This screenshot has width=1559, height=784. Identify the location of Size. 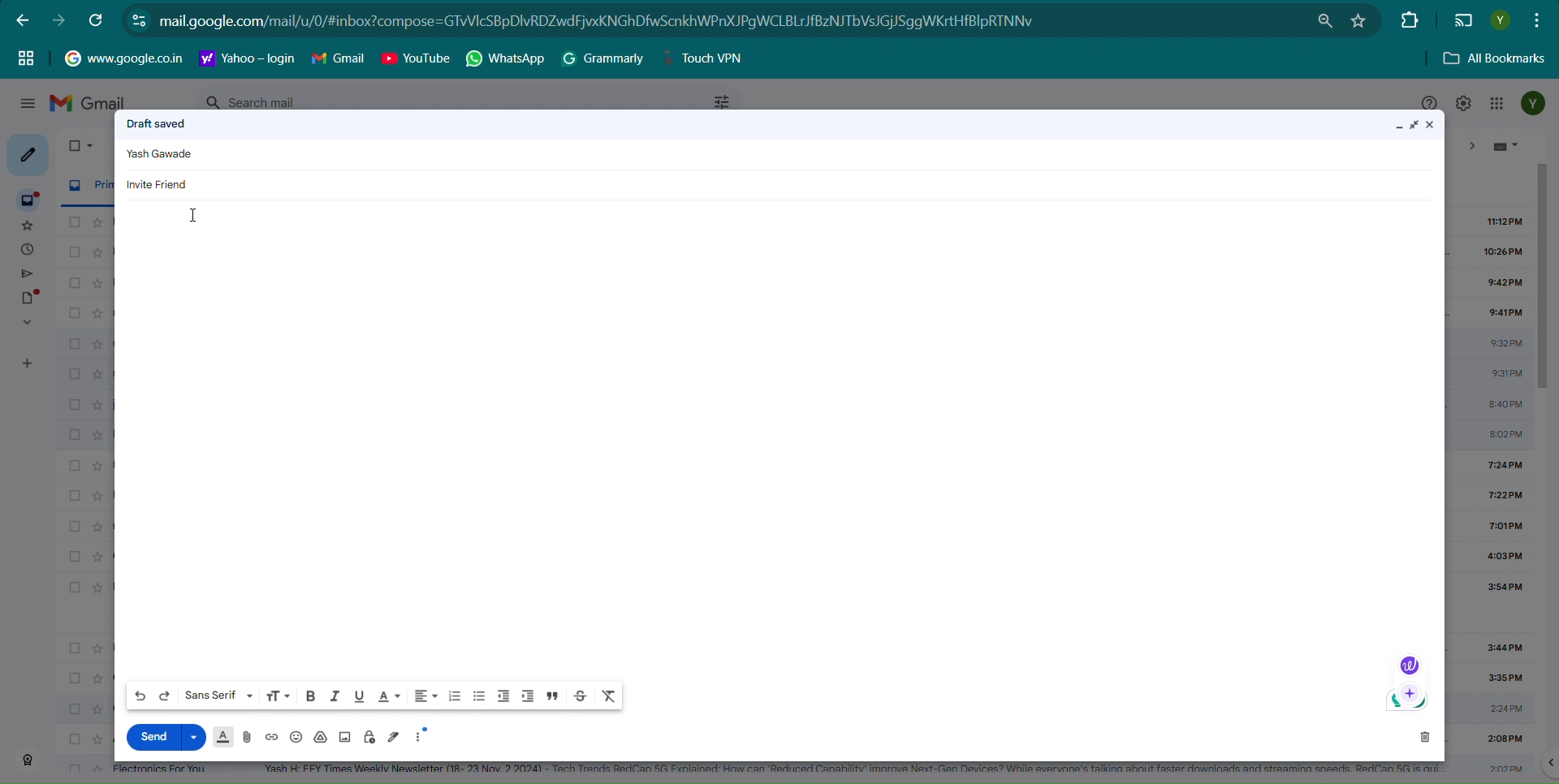
(278, 696).